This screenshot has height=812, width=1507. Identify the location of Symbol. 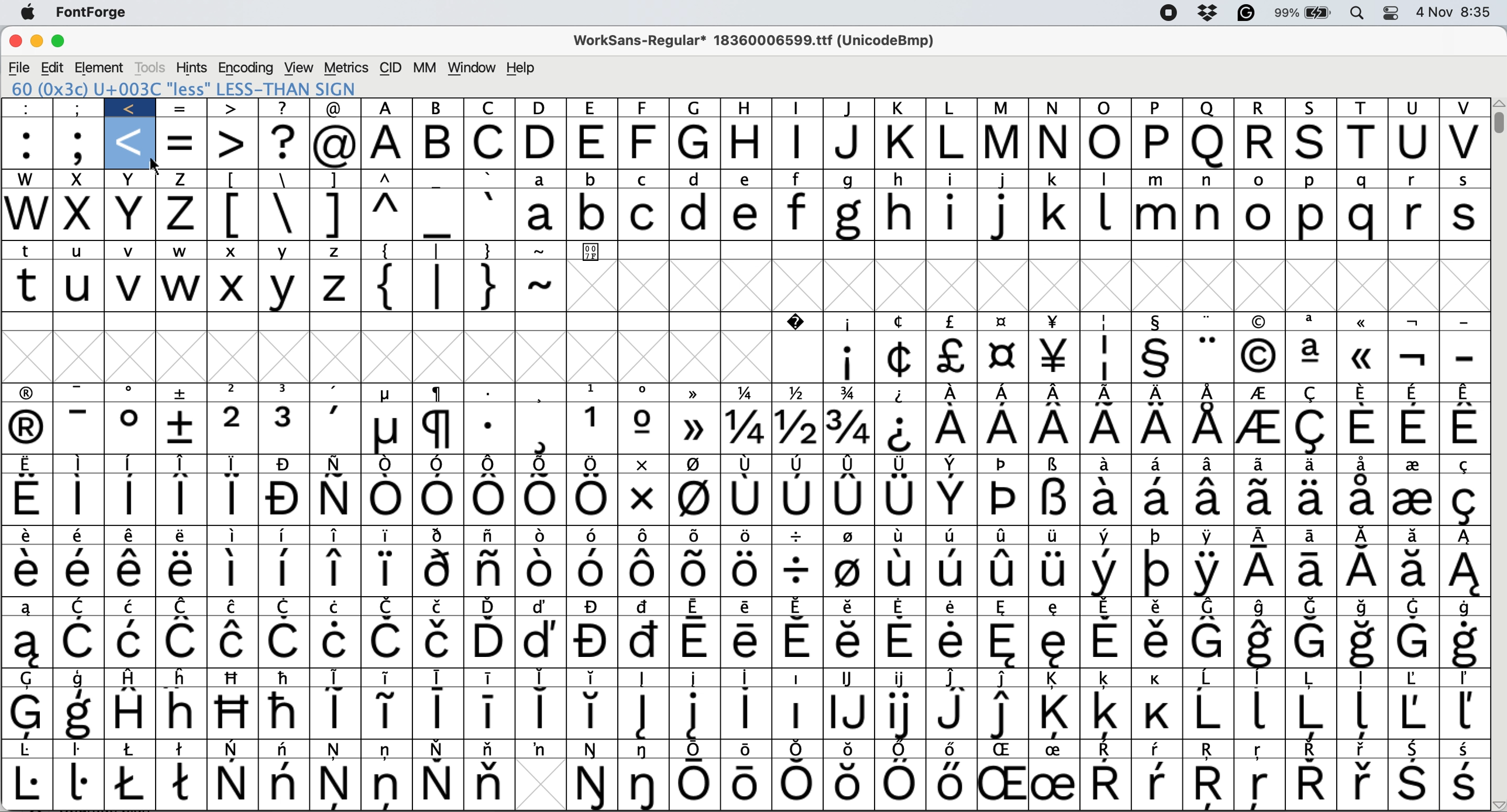
(237, 608).